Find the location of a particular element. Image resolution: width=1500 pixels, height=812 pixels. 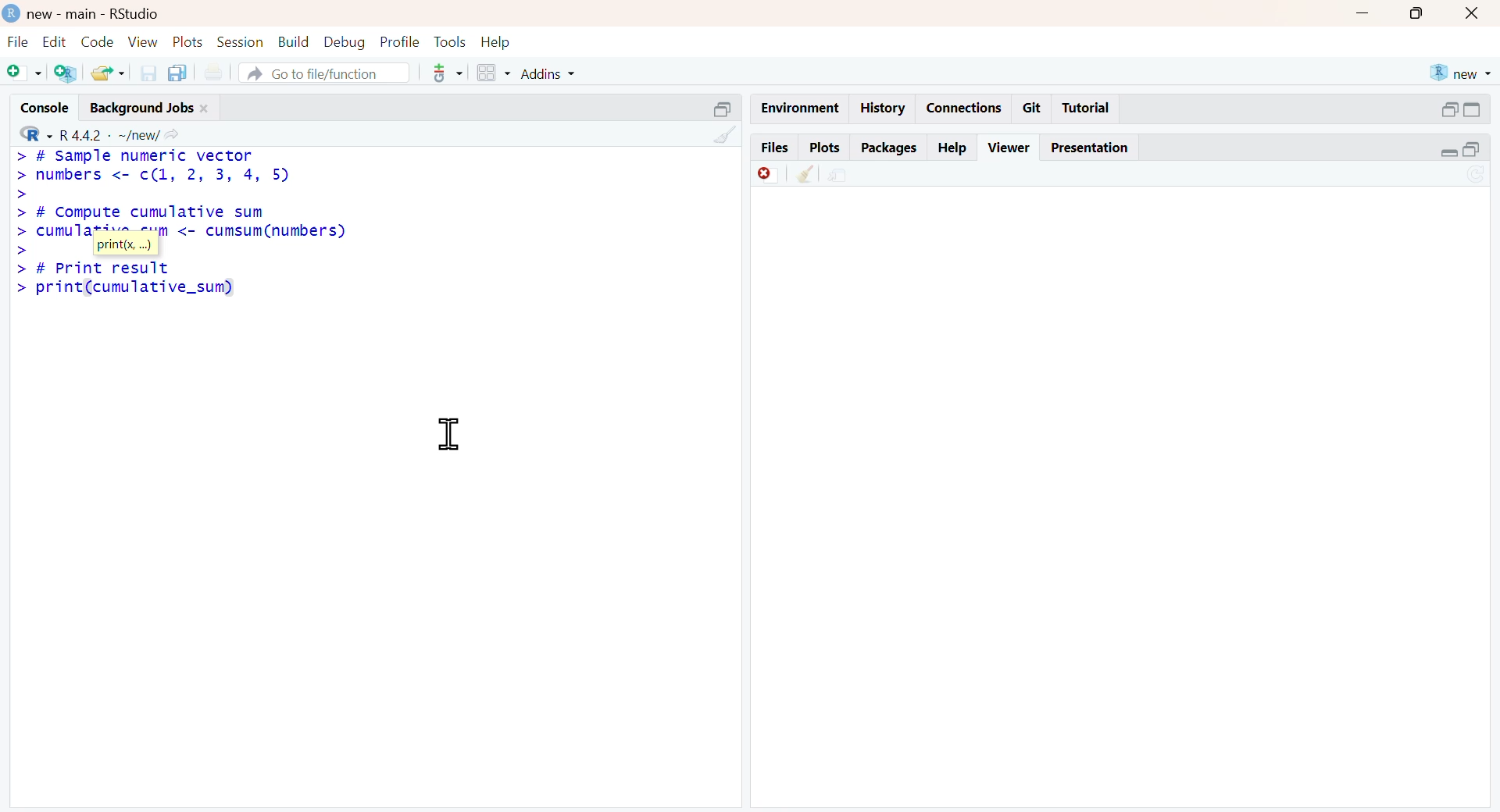

offline is located at coordinates (768, 173).